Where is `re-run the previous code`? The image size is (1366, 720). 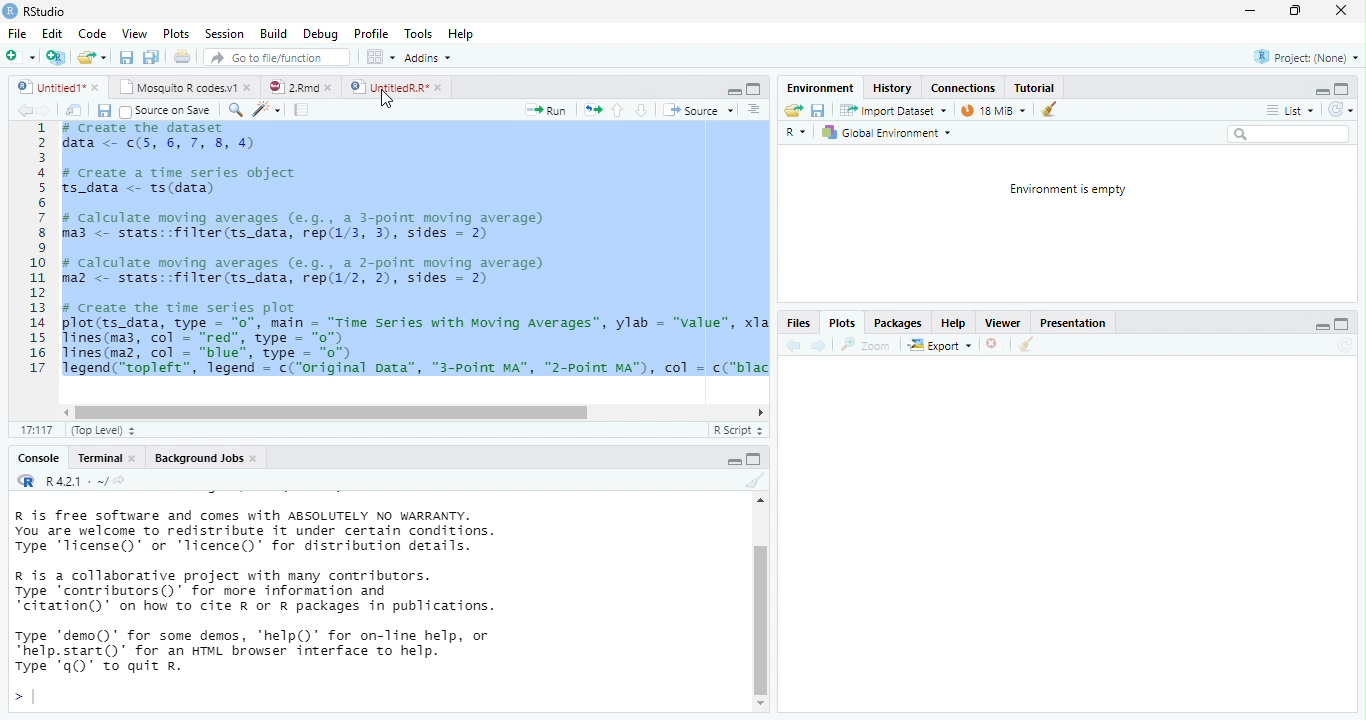 re-run the previous code is located at coordinates (593, 110).